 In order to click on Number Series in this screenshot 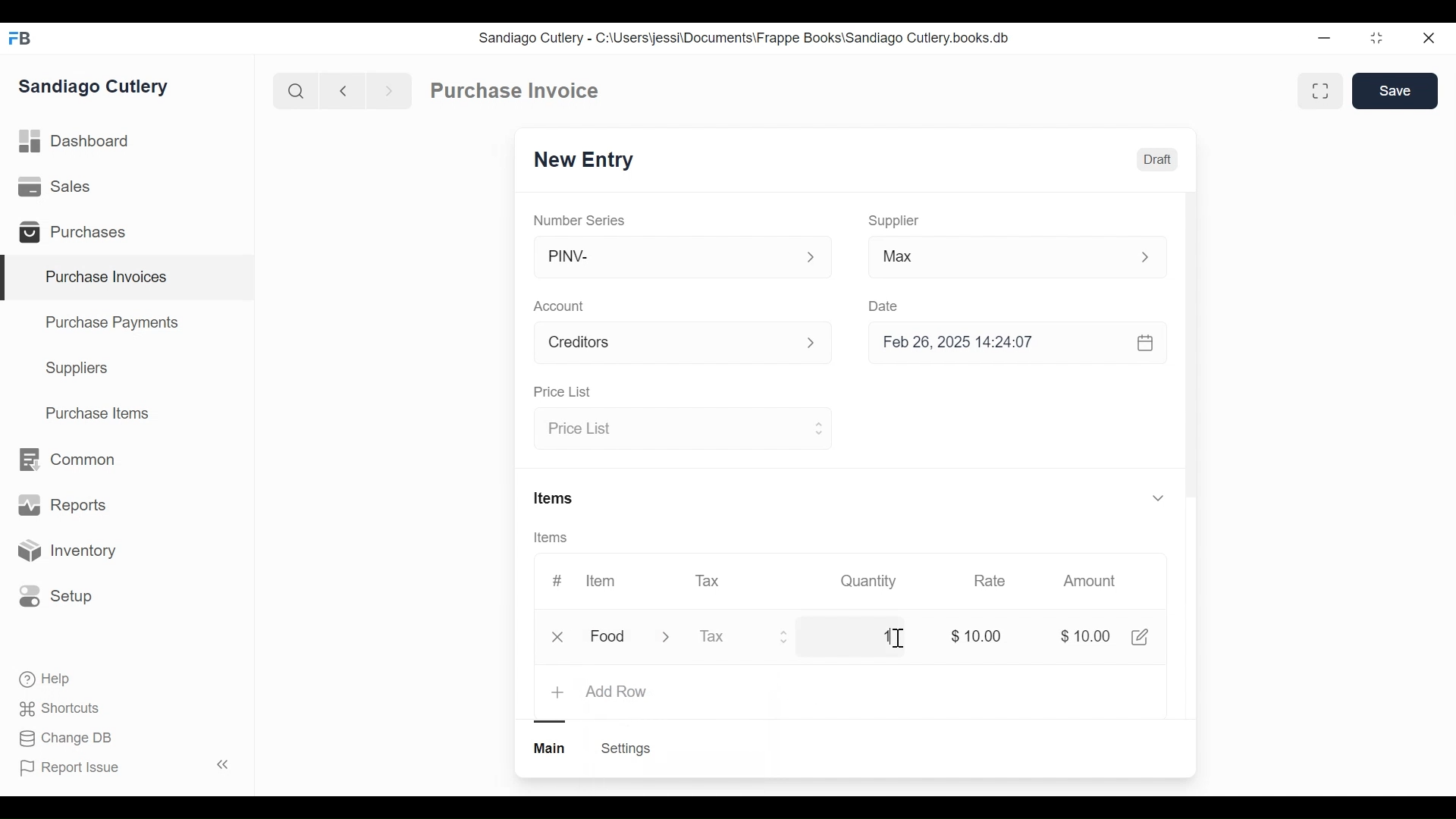, I will do `click(581, 220)`.